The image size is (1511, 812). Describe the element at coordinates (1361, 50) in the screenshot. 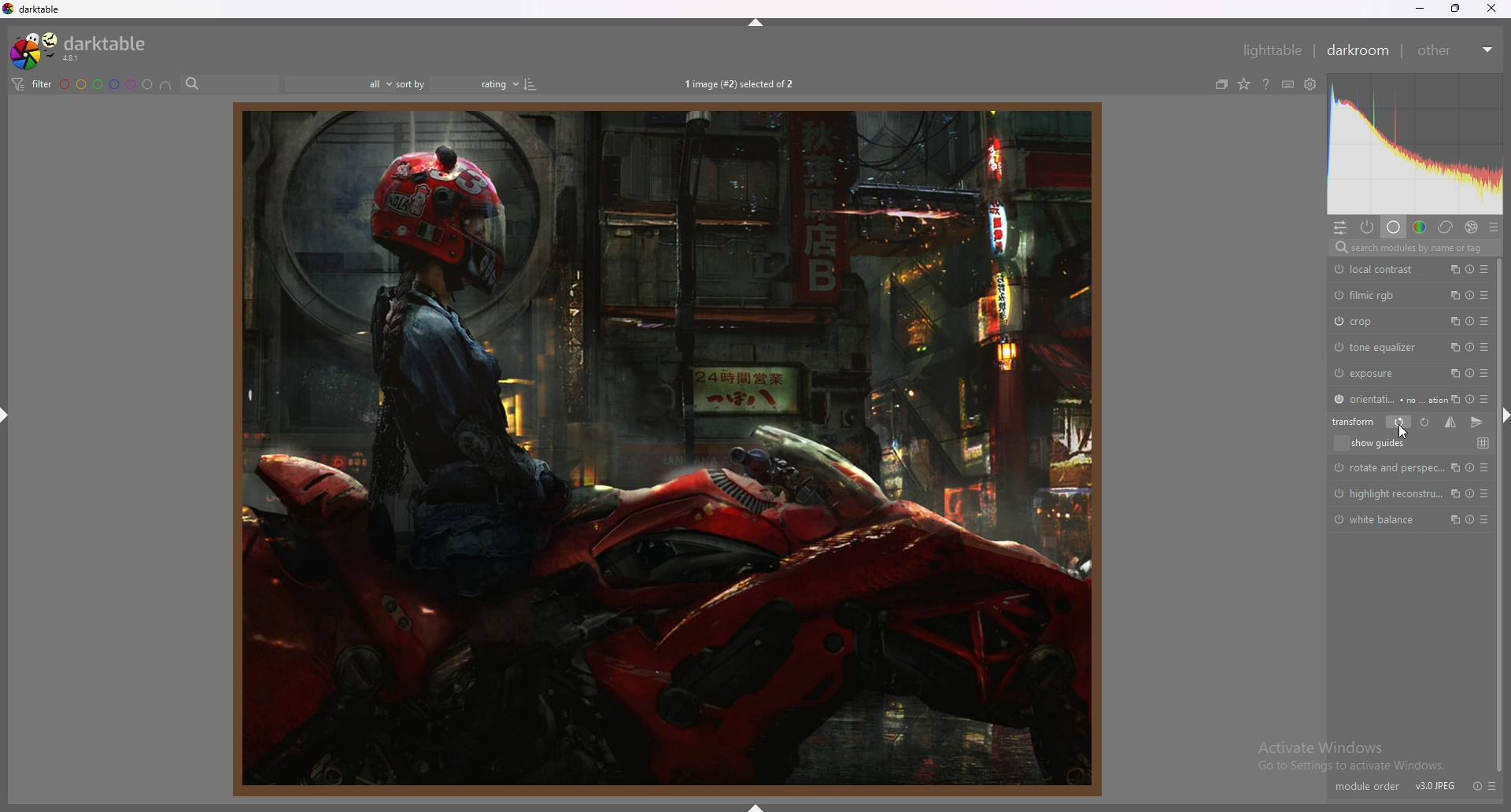

I see `darkroom` at that location.